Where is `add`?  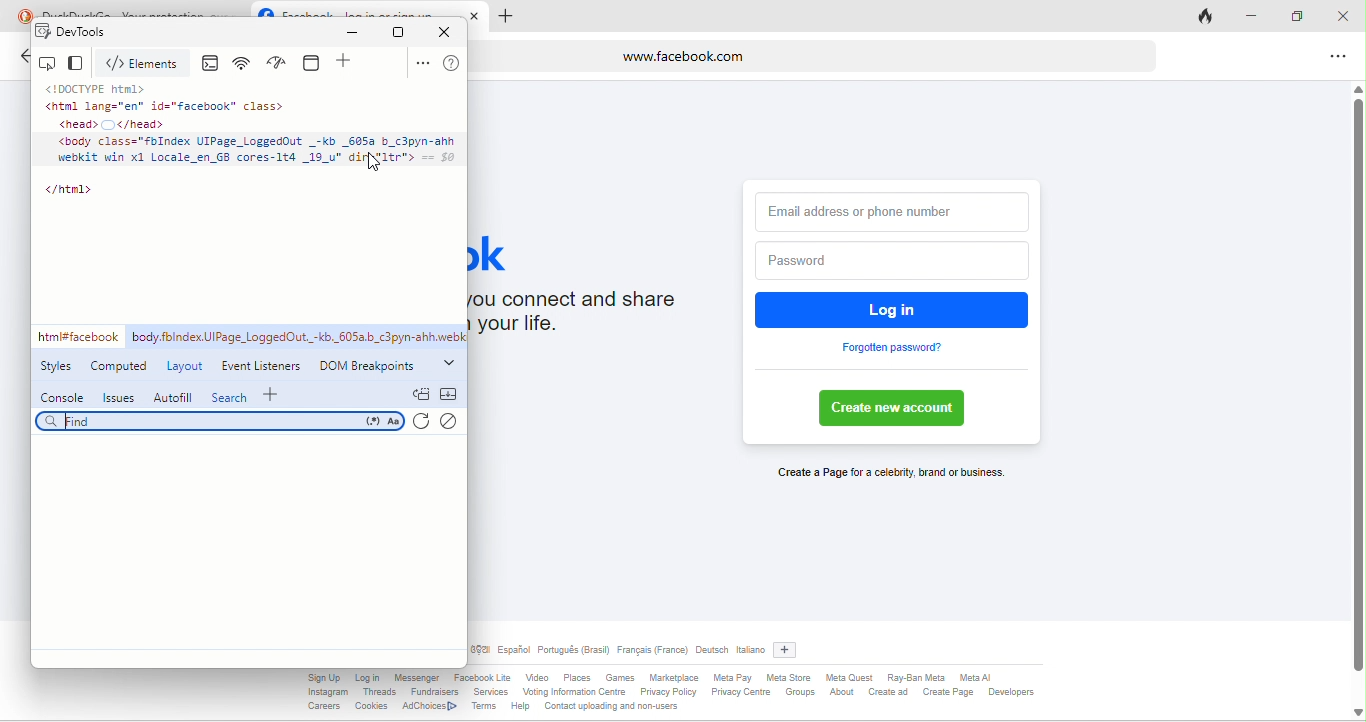
add is located at coordinates (275, 393).